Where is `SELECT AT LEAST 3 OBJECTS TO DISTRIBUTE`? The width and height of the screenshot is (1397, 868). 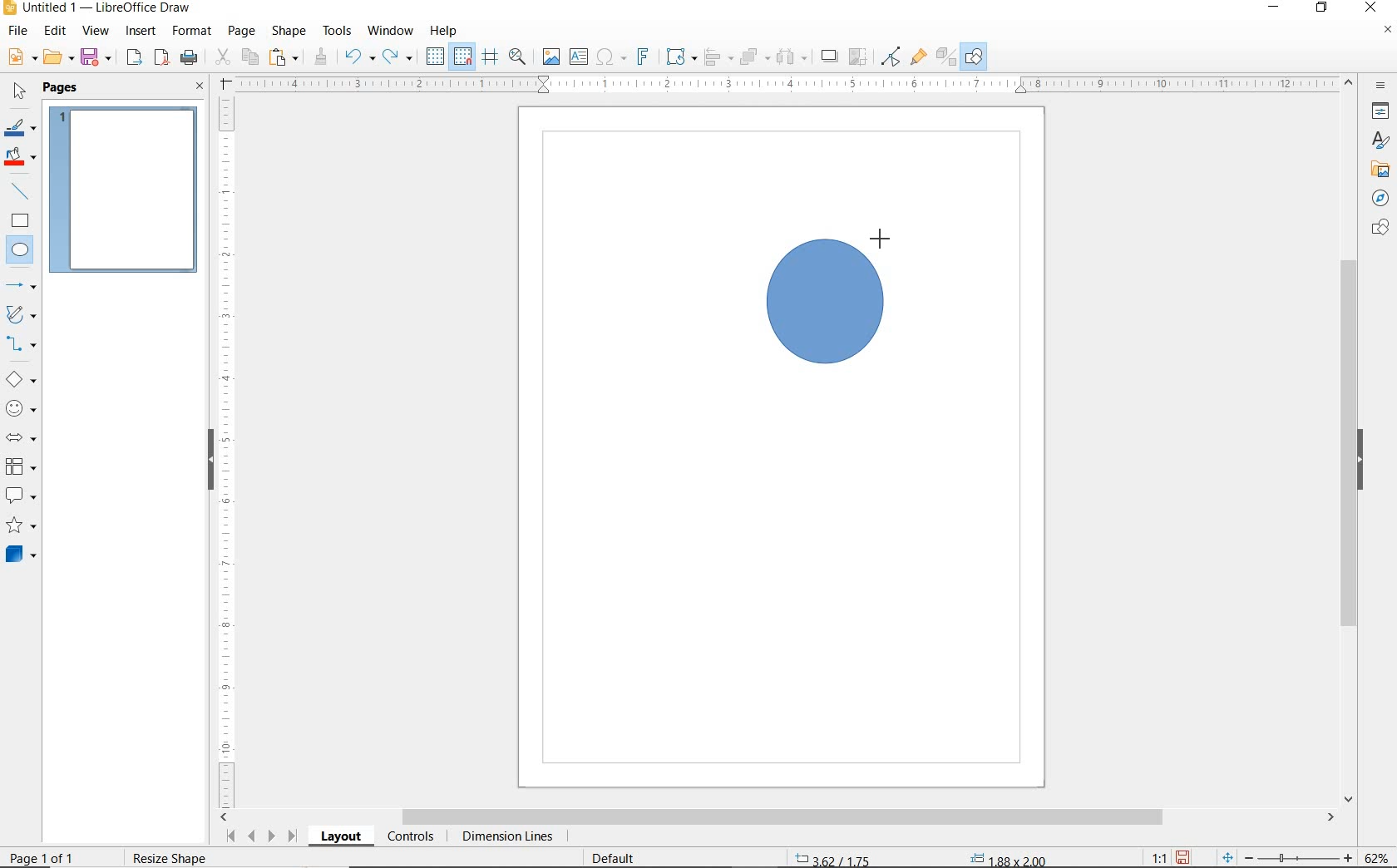 SELECT AT LEAST 3 OBJECTS TO DISTRIBUTE is located at coordinates (792, 56).